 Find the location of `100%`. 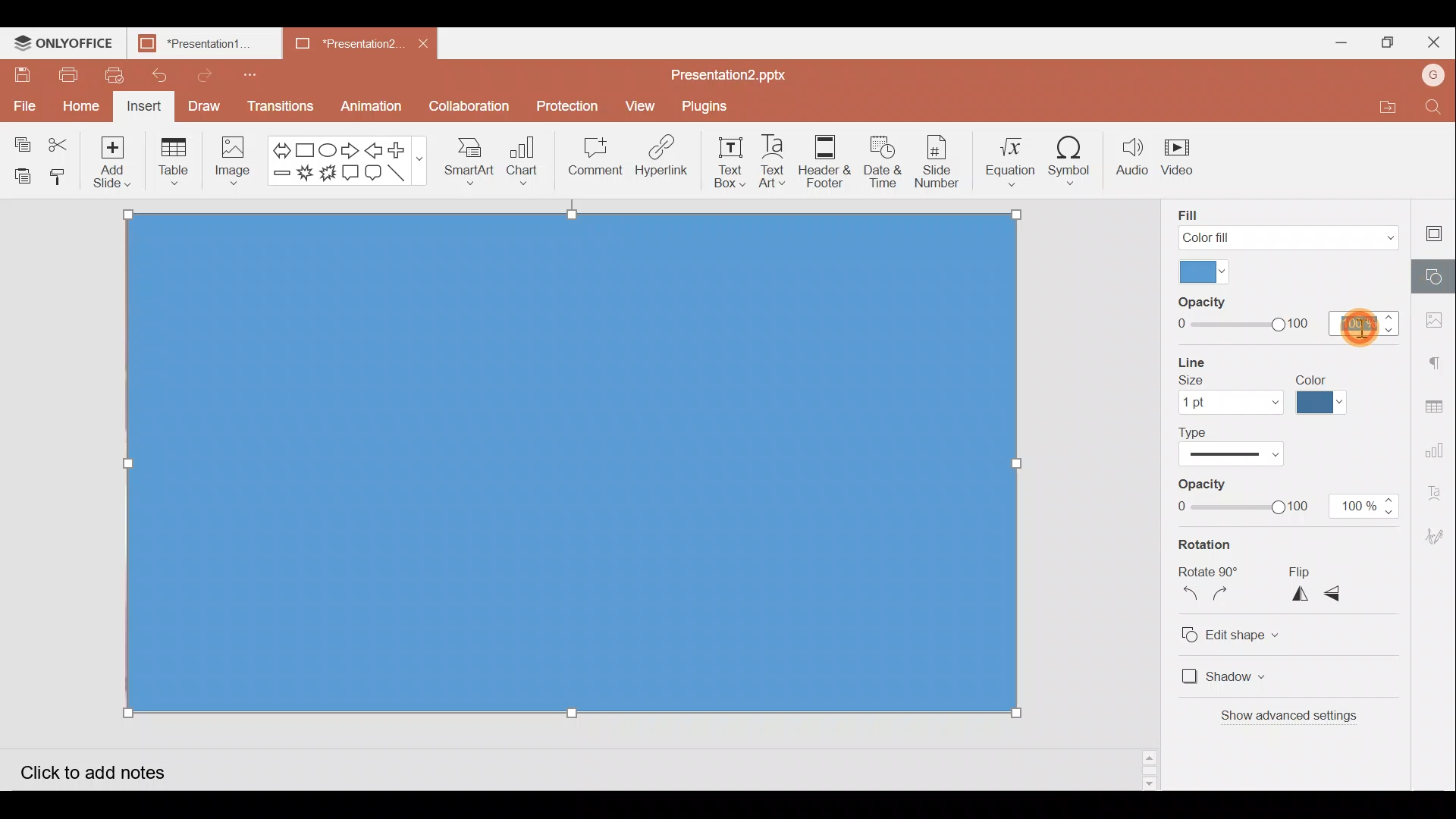

100% is located at coordinates (1365, 508).